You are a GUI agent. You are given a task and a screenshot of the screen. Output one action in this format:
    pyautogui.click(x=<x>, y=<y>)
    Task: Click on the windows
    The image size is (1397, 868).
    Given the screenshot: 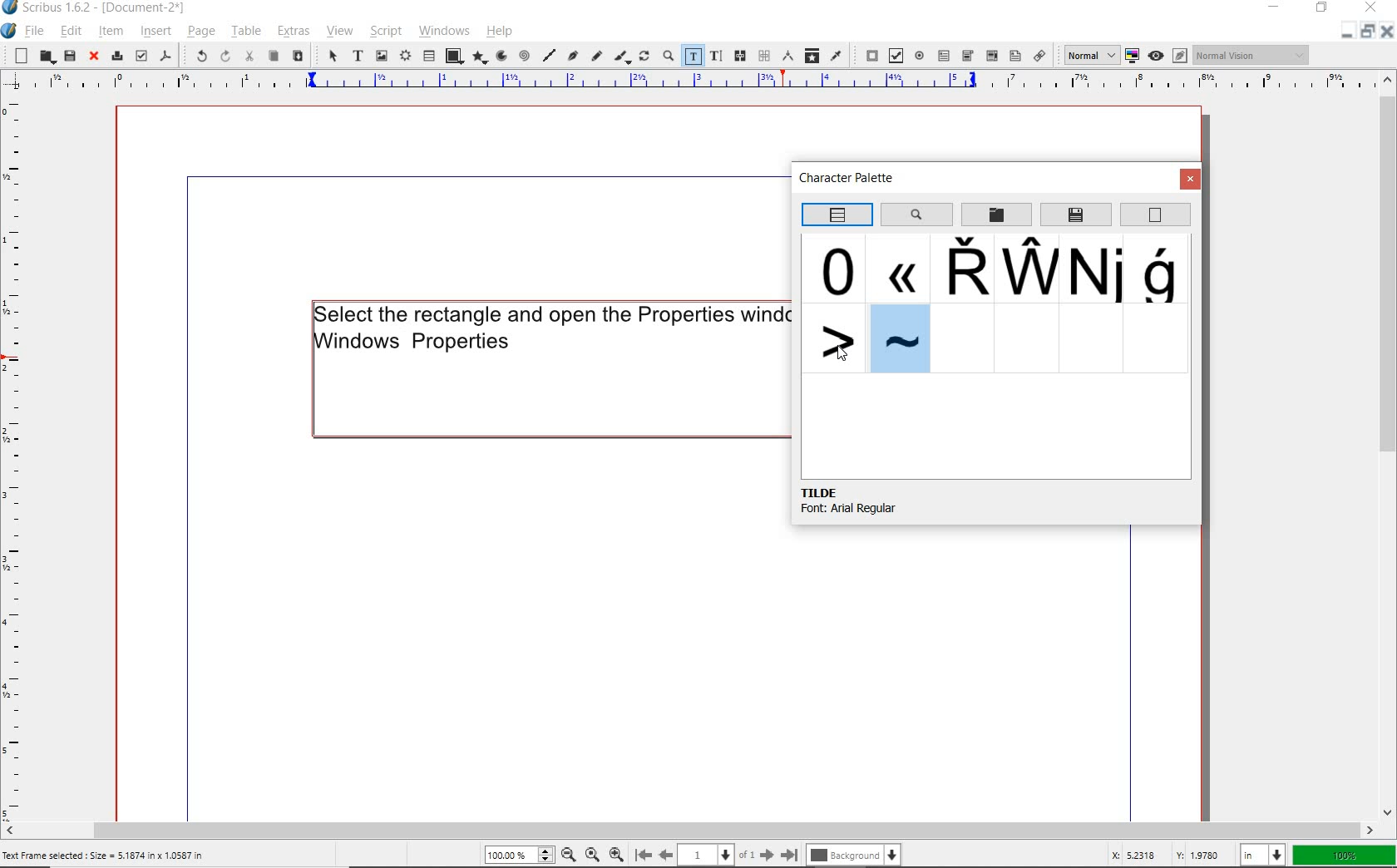 What is the action you would take?
    pyautogui.click(x=444, y=31)
    